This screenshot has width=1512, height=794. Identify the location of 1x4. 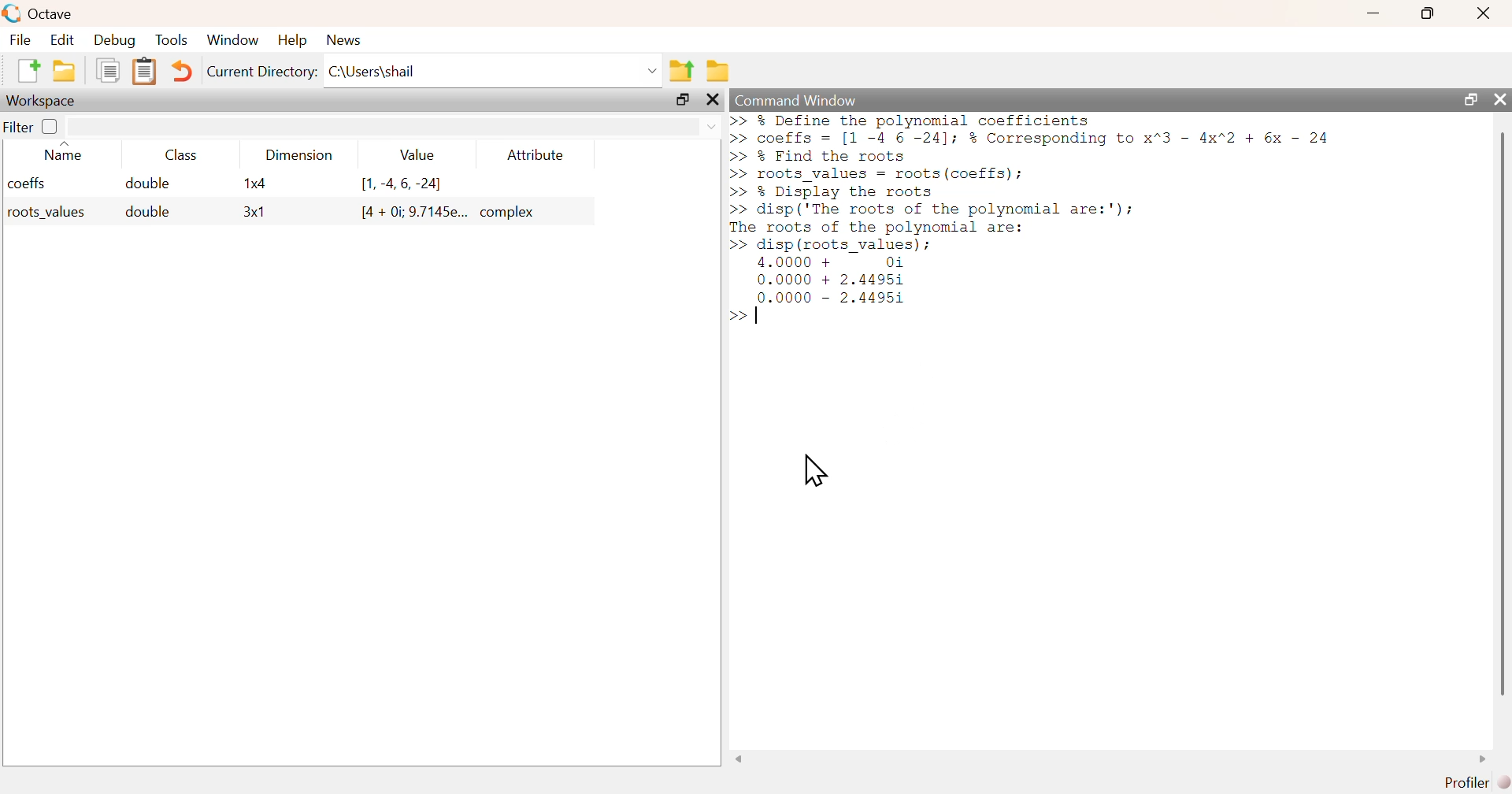
(254, 184).